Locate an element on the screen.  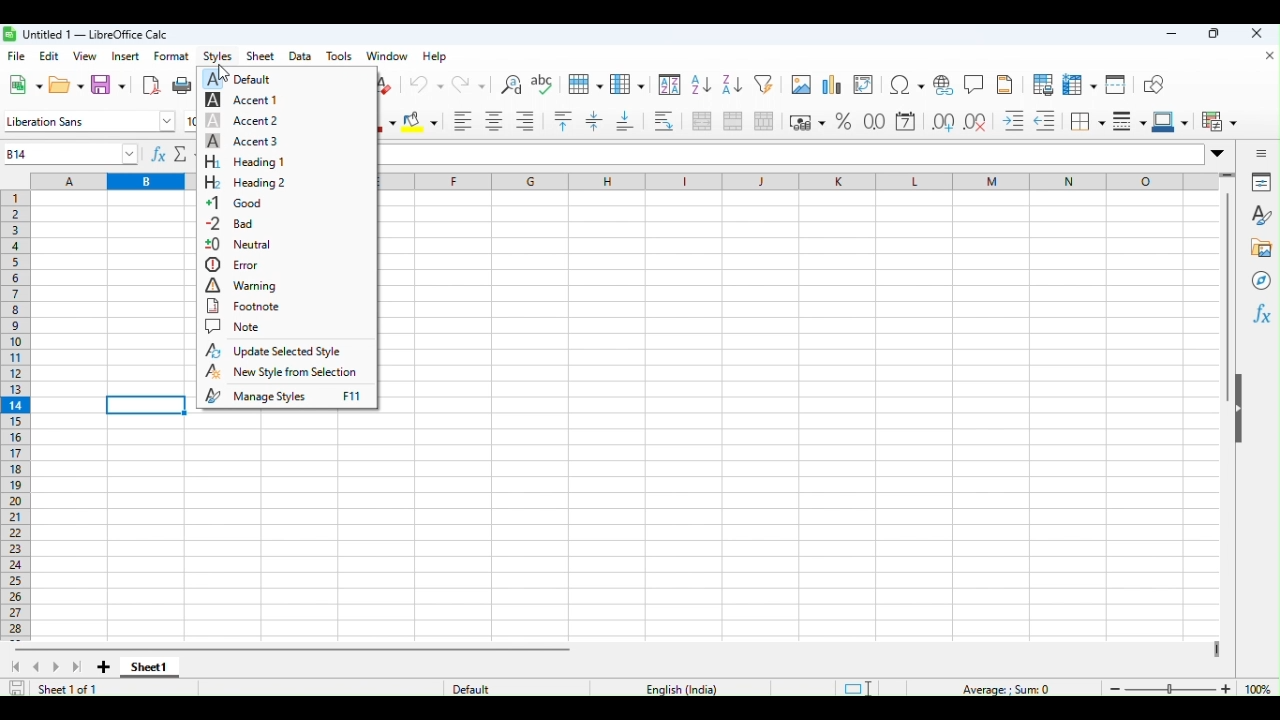
undo is located at coordinates (422, 82).